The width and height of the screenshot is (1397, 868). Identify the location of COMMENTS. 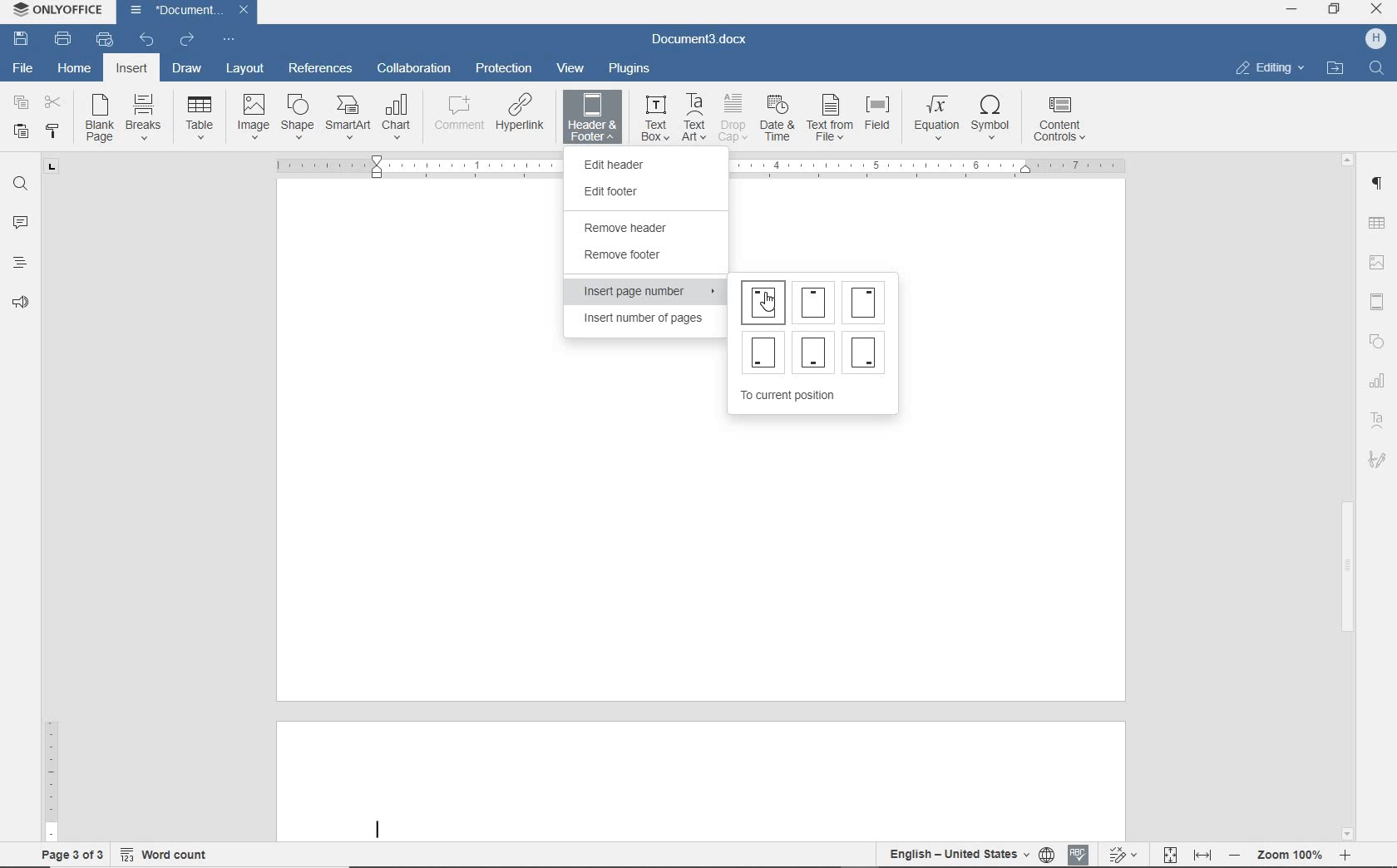
(20, 221).